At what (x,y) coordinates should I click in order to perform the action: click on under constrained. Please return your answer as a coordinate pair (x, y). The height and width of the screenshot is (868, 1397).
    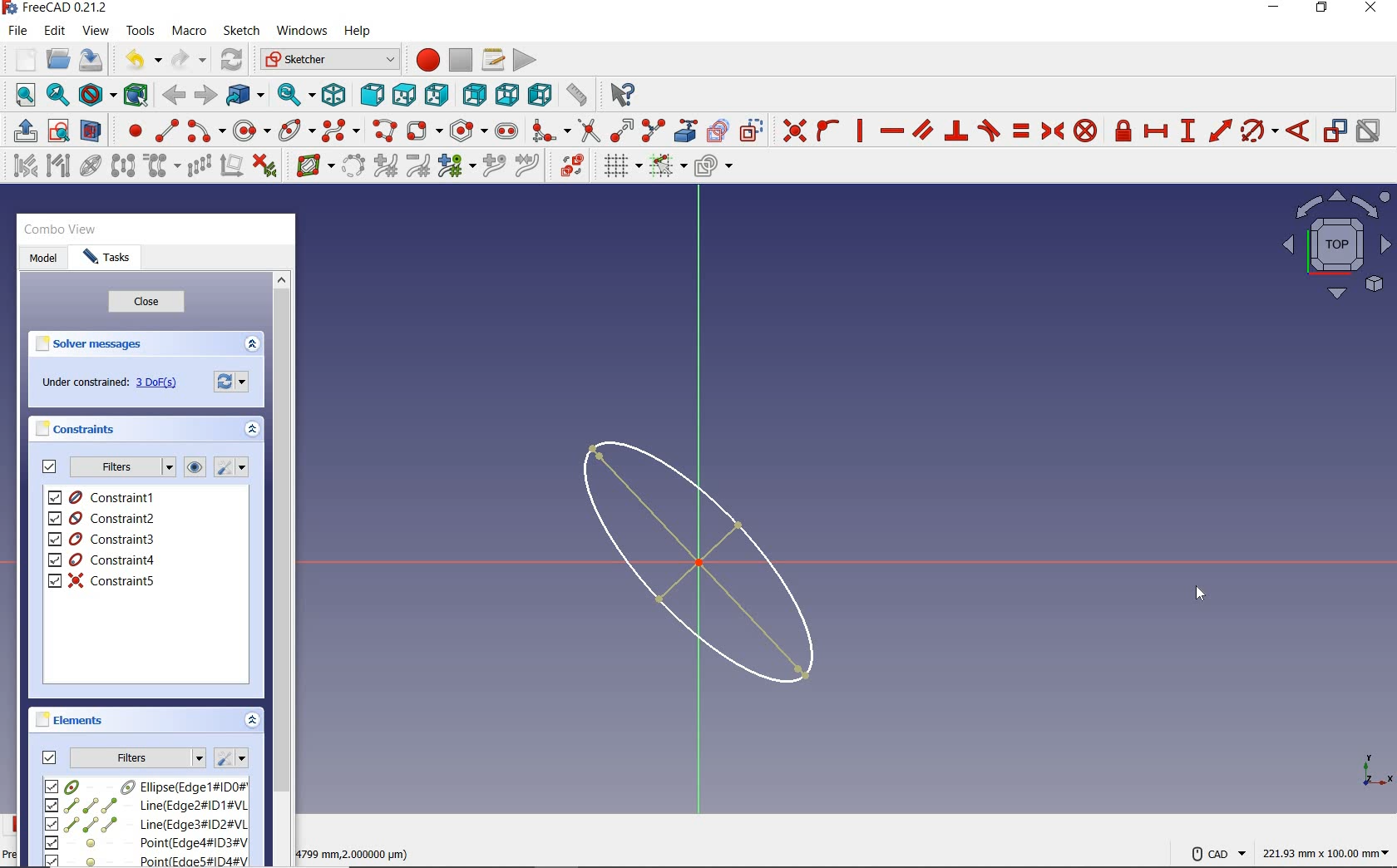
    Looking at the image, I should click on (114, 383).